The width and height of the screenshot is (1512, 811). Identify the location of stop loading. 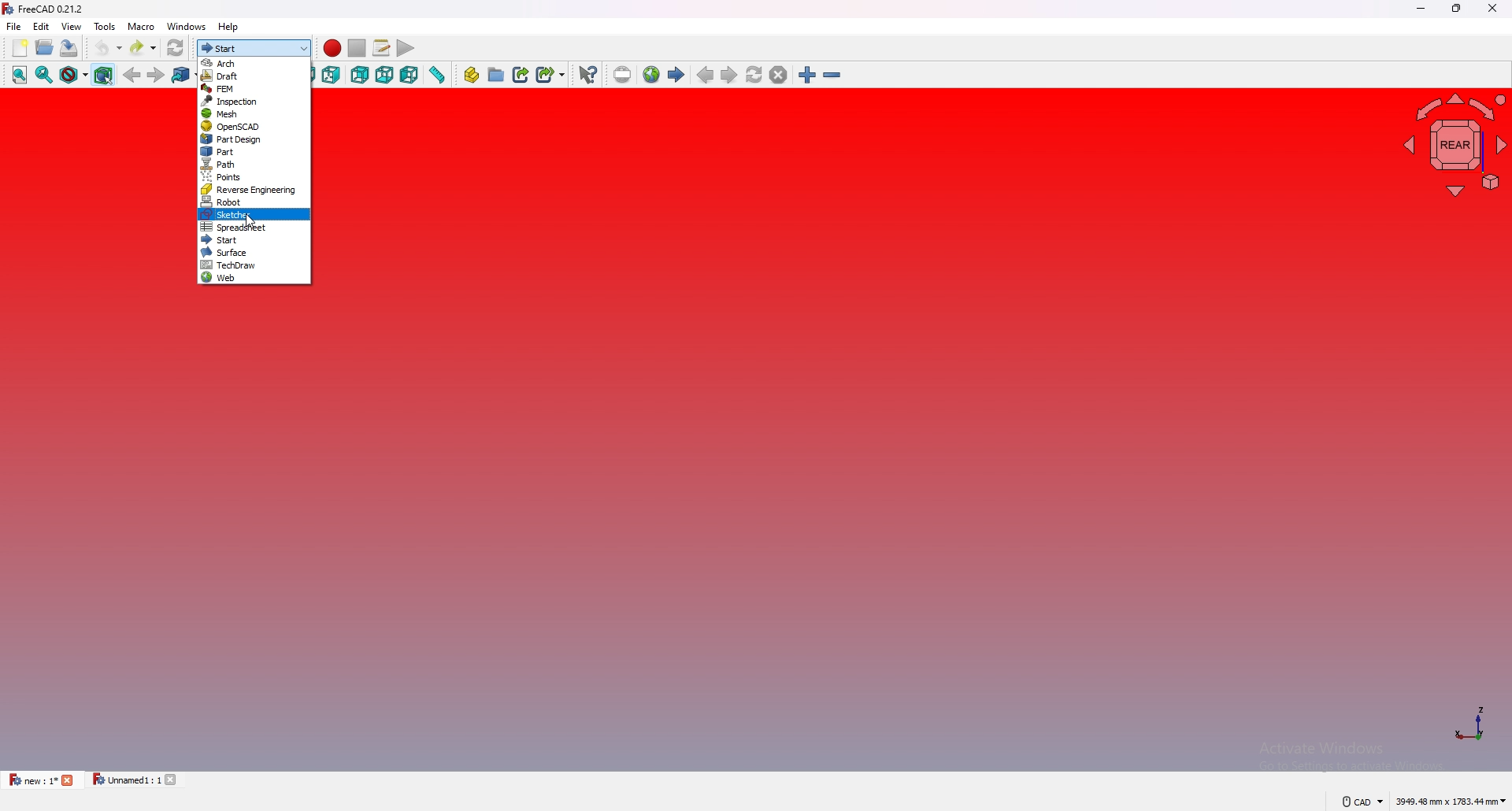
(779, 74).